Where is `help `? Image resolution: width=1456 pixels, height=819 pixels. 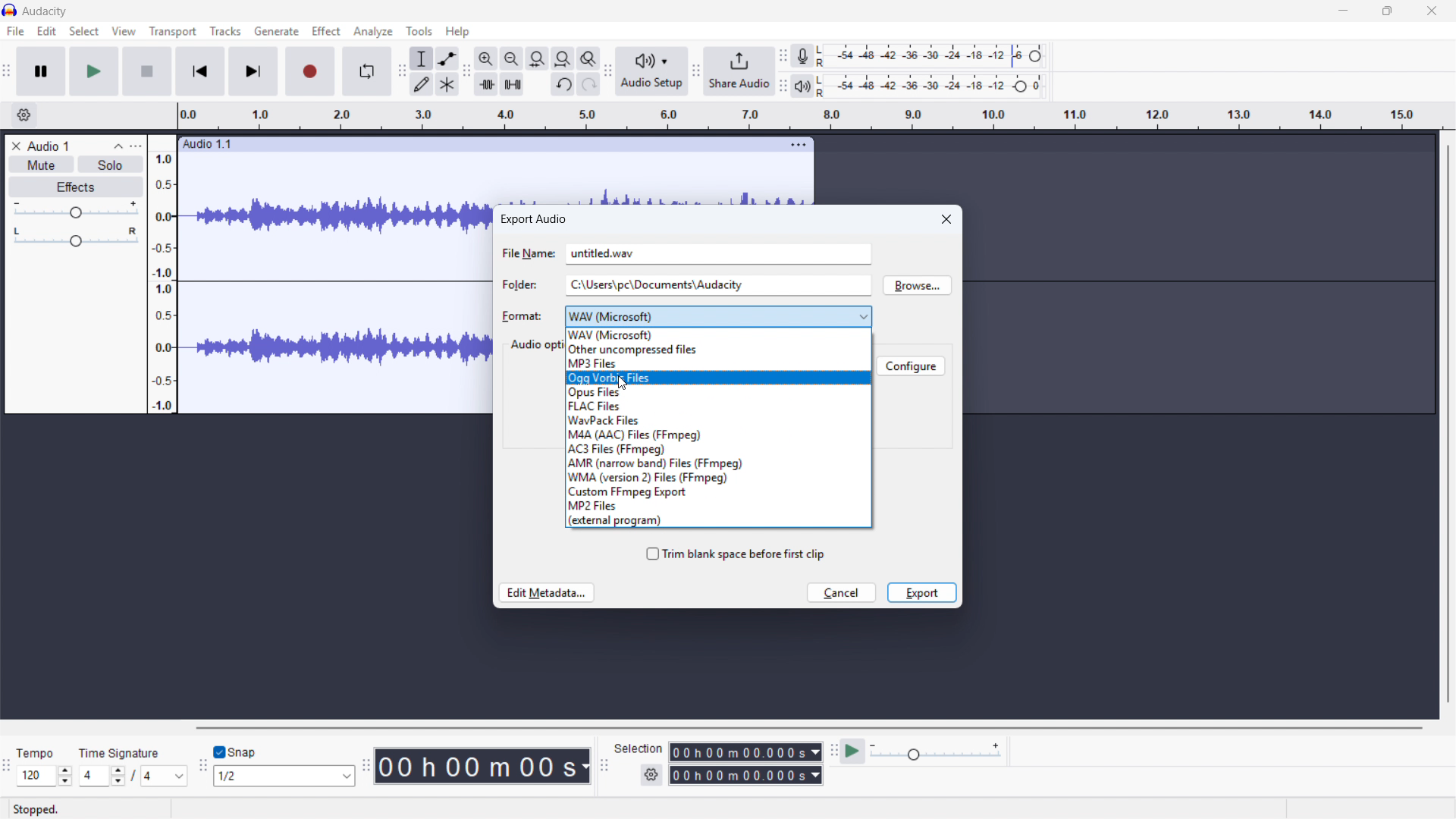 help  is located at coordinates (458, 31).